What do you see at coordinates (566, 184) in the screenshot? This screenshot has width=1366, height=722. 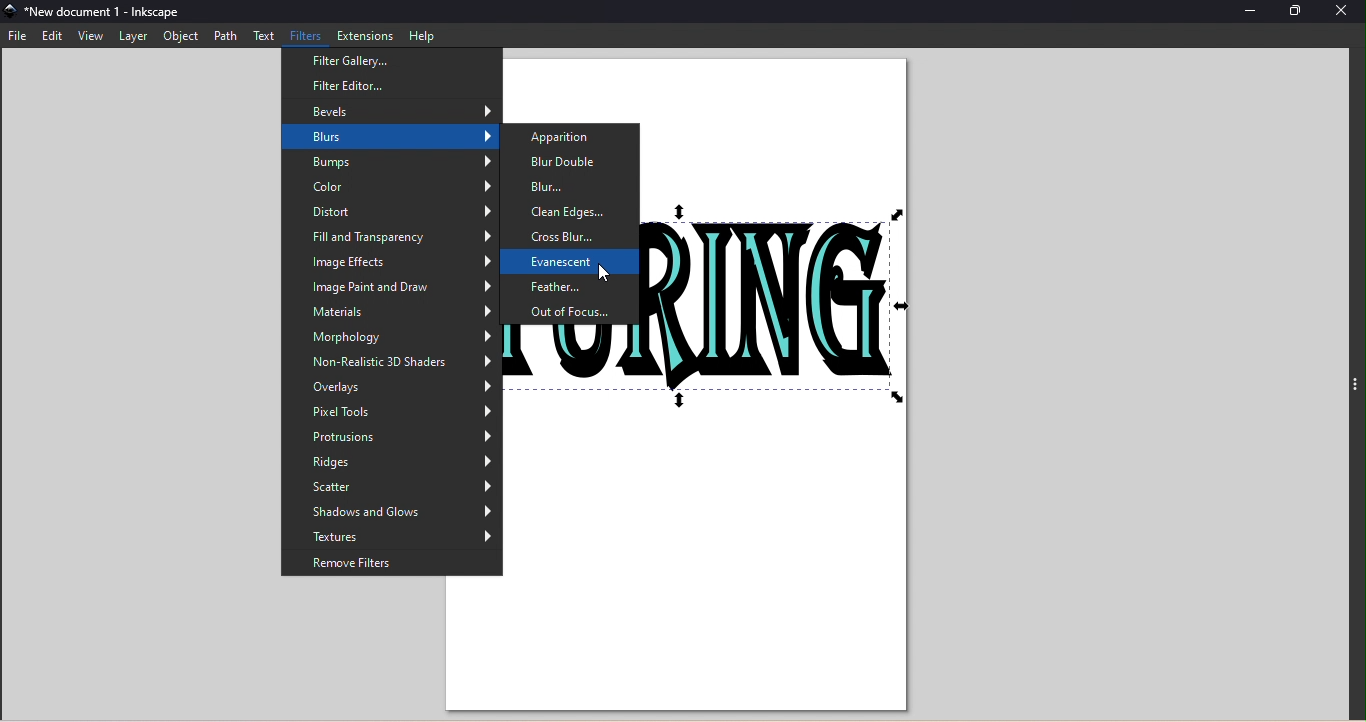 I see `Blur` at bounding box center [566, 184].